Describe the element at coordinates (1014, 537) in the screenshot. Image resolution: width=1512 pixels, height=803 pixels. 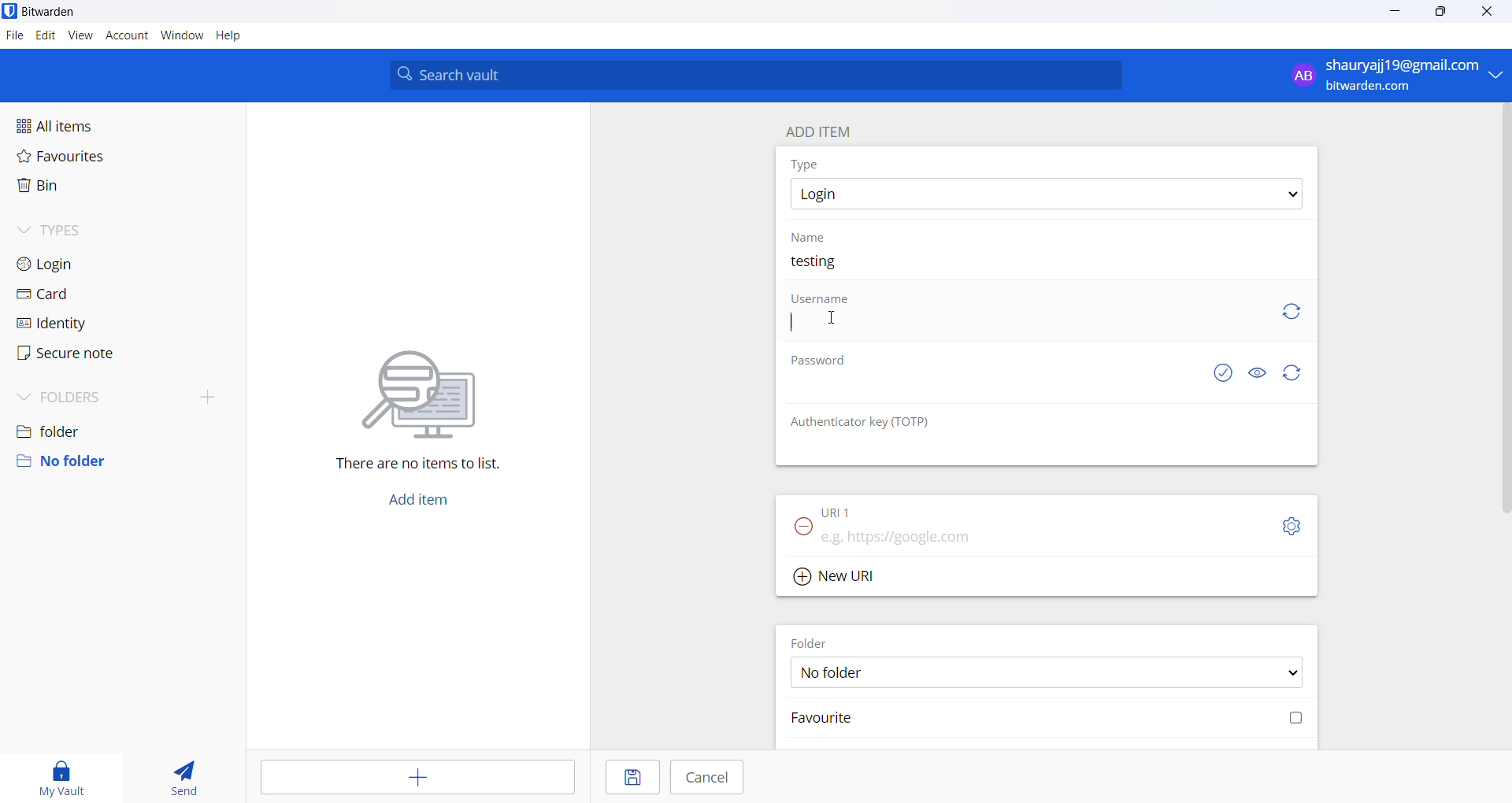
I see `URL input` at that location.